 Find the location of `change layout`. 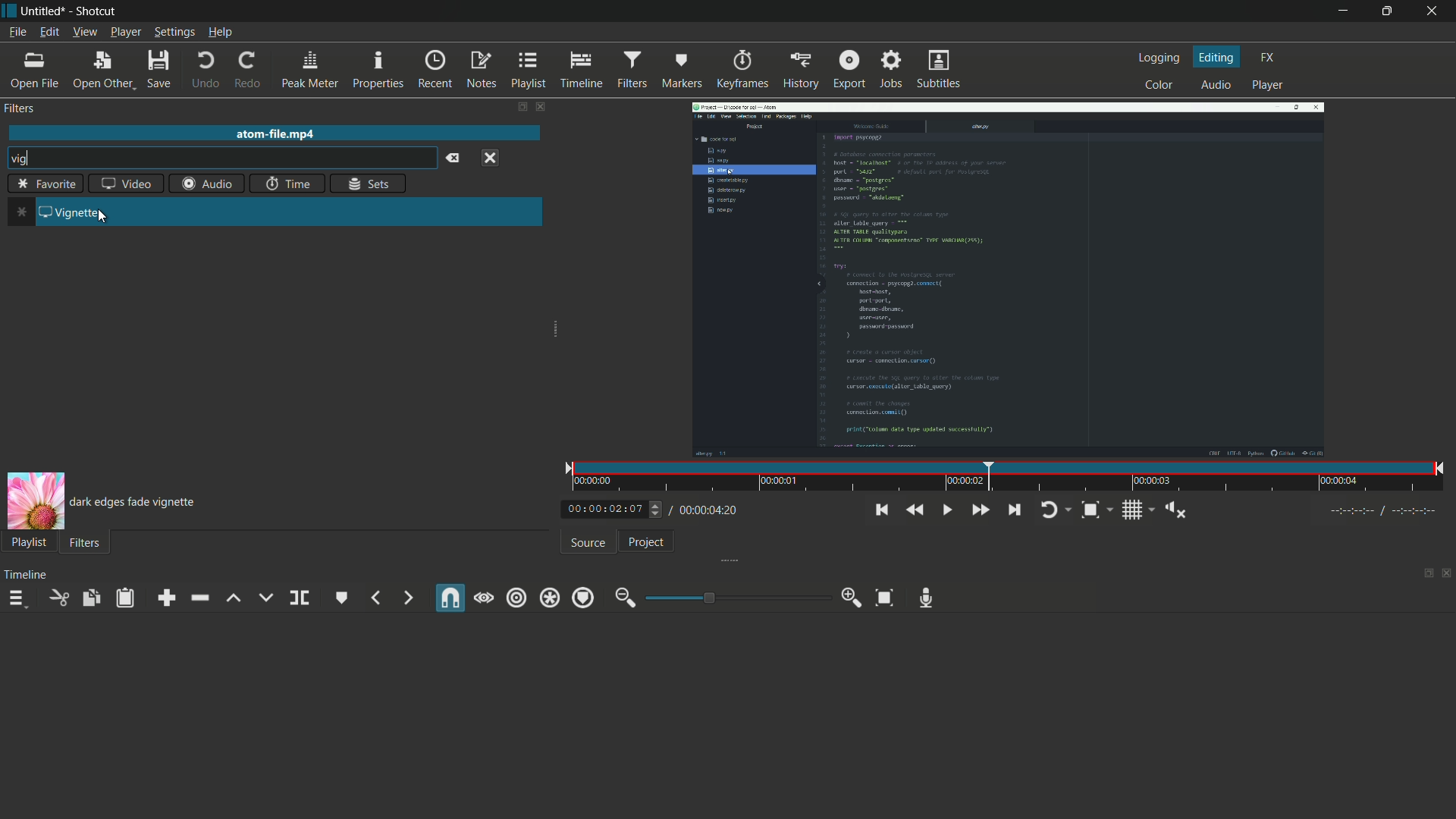

change layout is located at coordinates (521, 108).